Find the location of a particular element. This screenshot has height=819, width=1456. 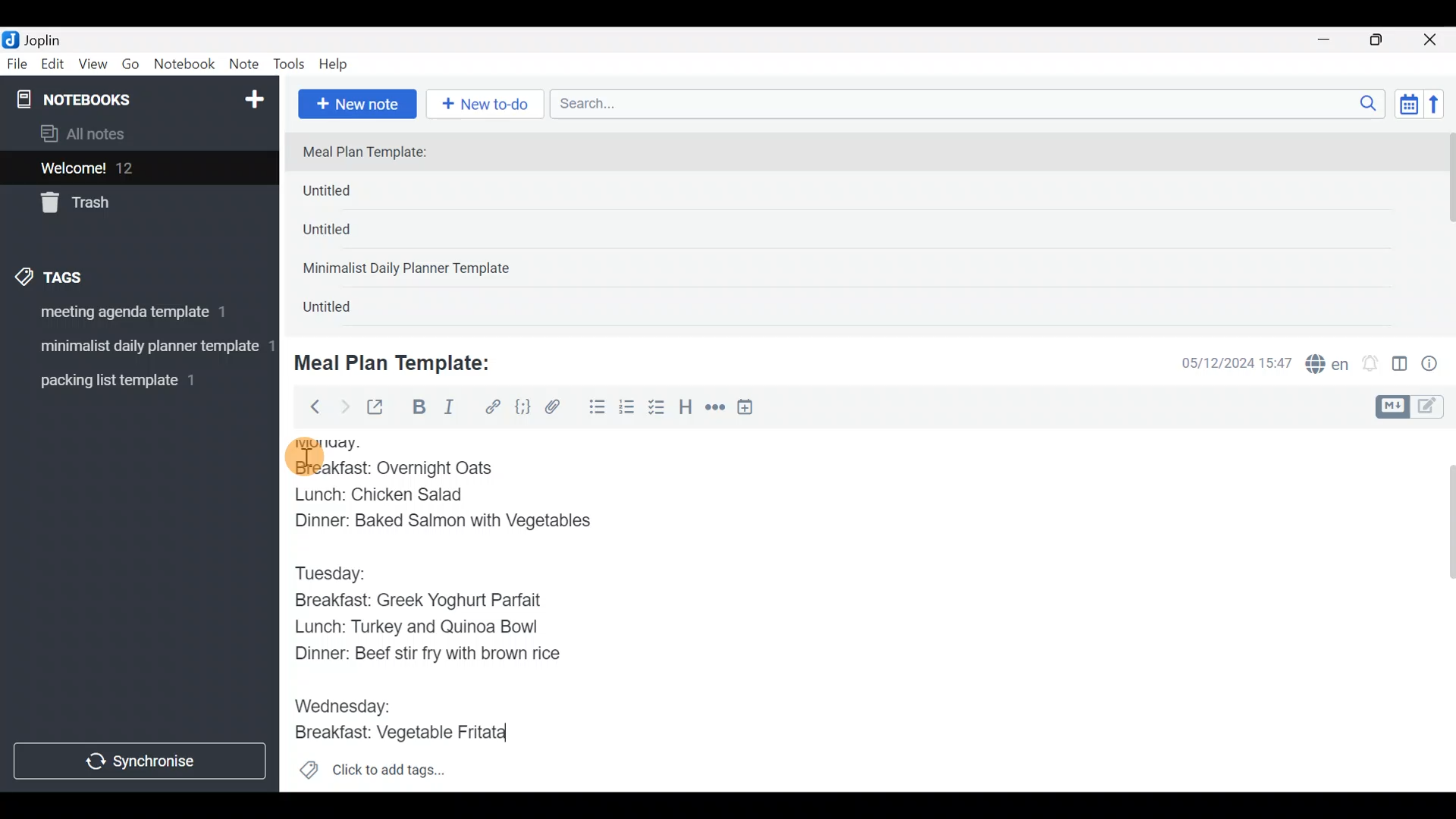

Bold is located at coordinates (418, 409).